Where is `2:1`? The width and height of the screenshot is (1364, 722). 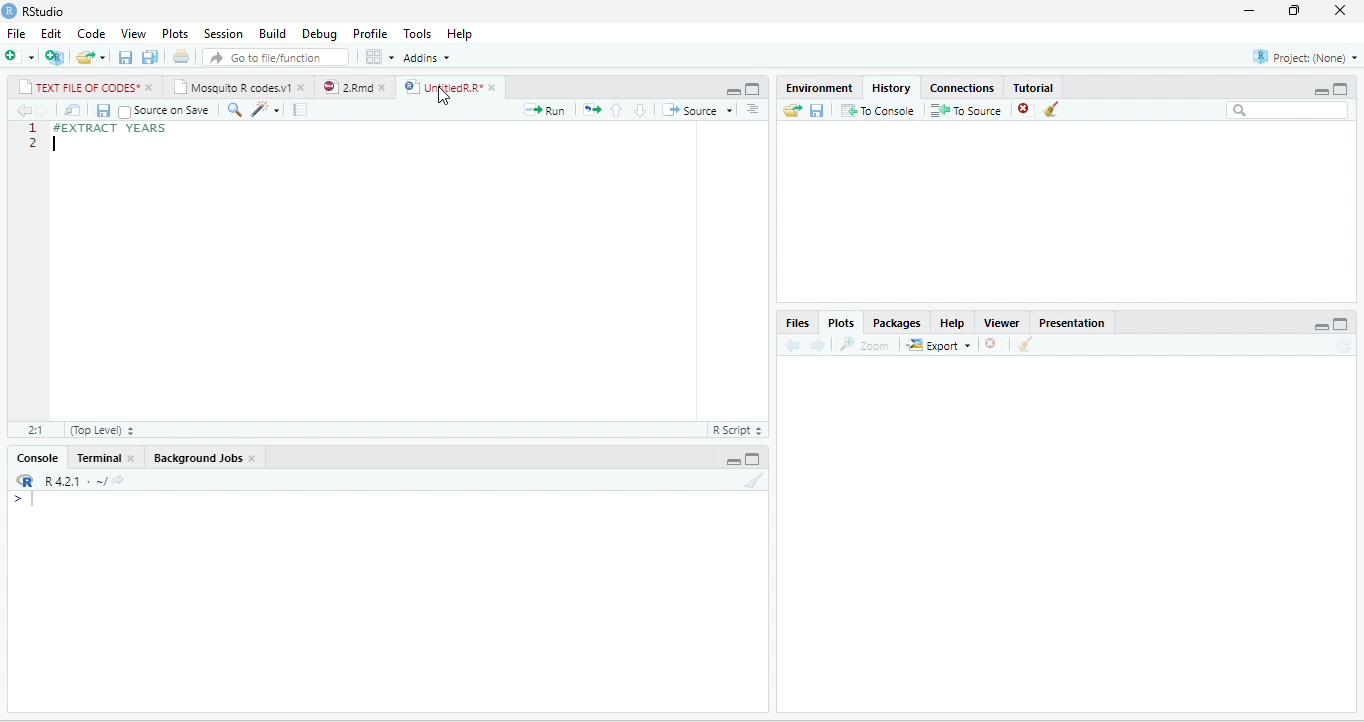
2:1 is located at coordinates (35, 430).